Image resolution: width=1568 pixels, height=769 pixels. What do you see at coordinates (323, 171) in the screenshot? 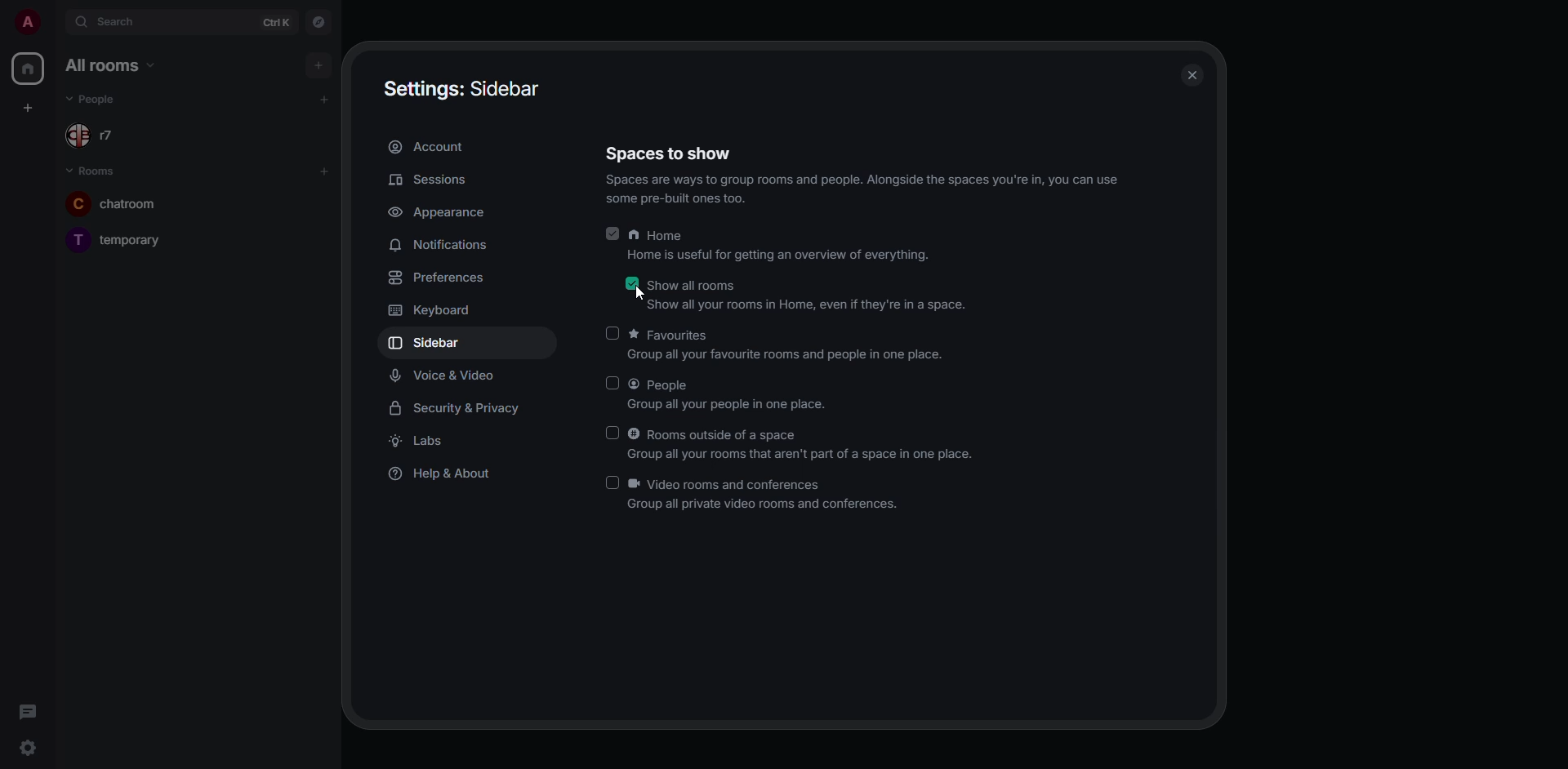
I see `add` at bounding box center [323, 171].